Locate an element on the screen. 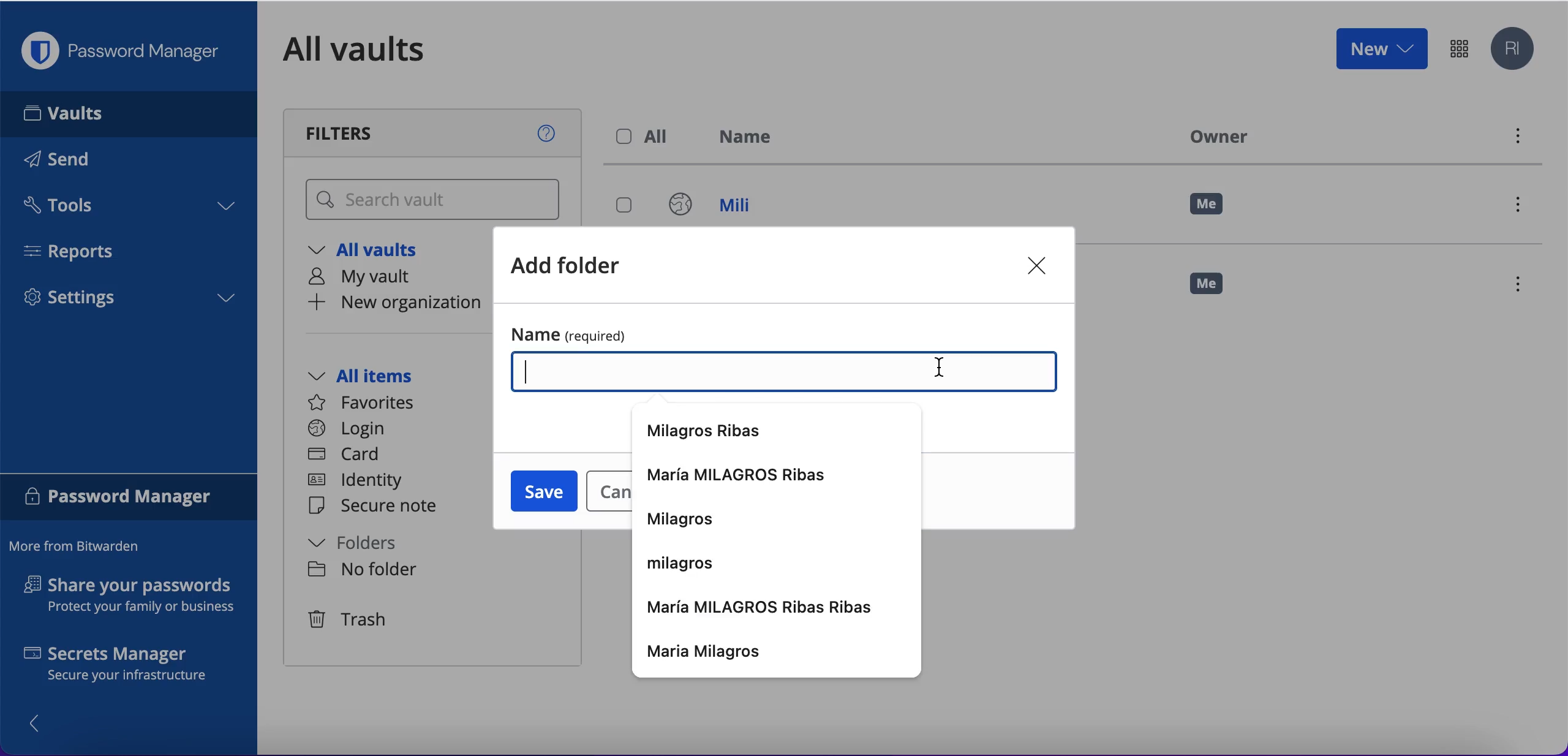 The width and height of the screenshot is (1568, 756). mili is located at coordinates (722, 208).